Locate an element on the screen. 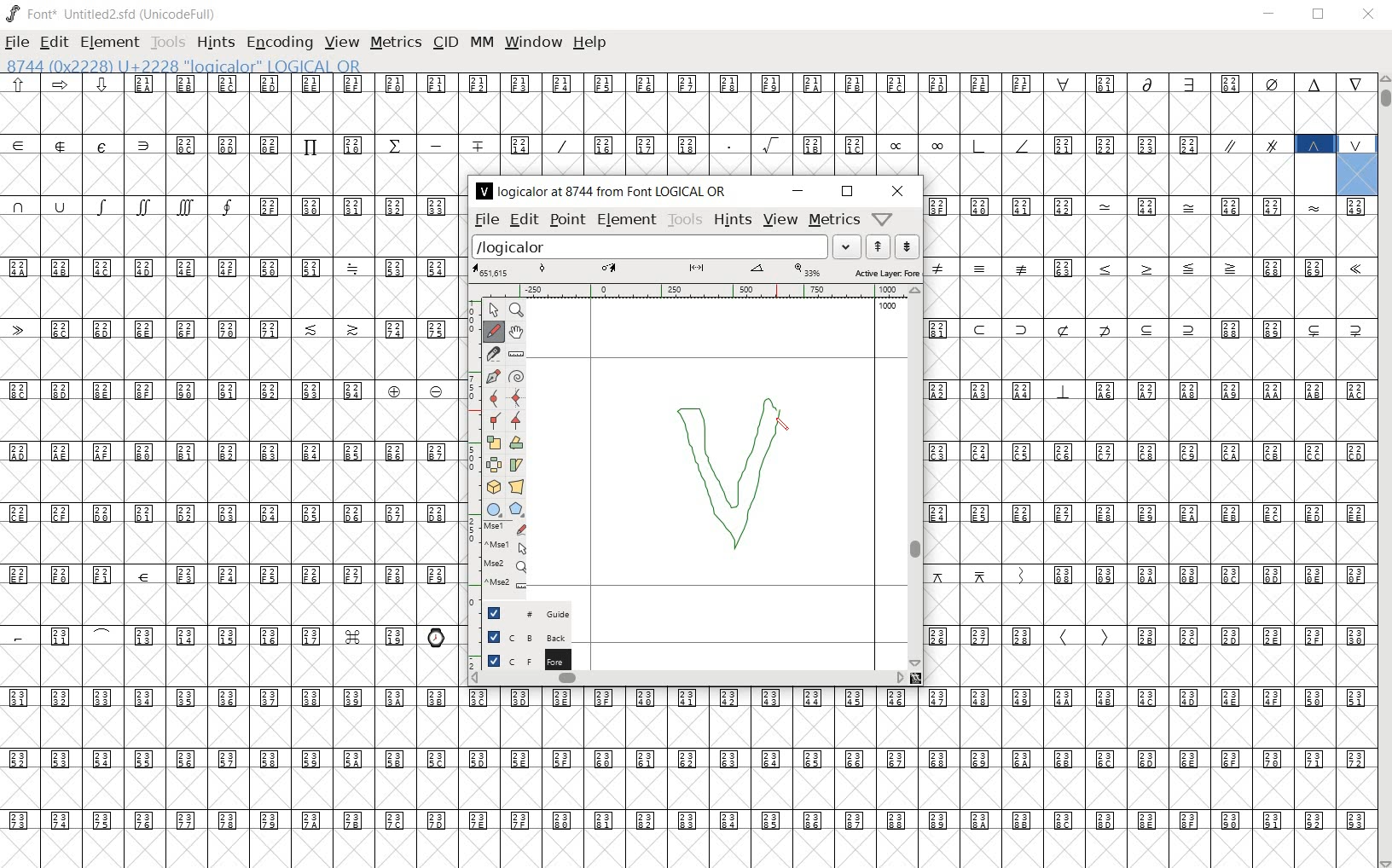 The width and height of the screenshot is (1392, 868). logicalor at 8744 from Font LOGICAL OR is located at coordinates (604, 192).